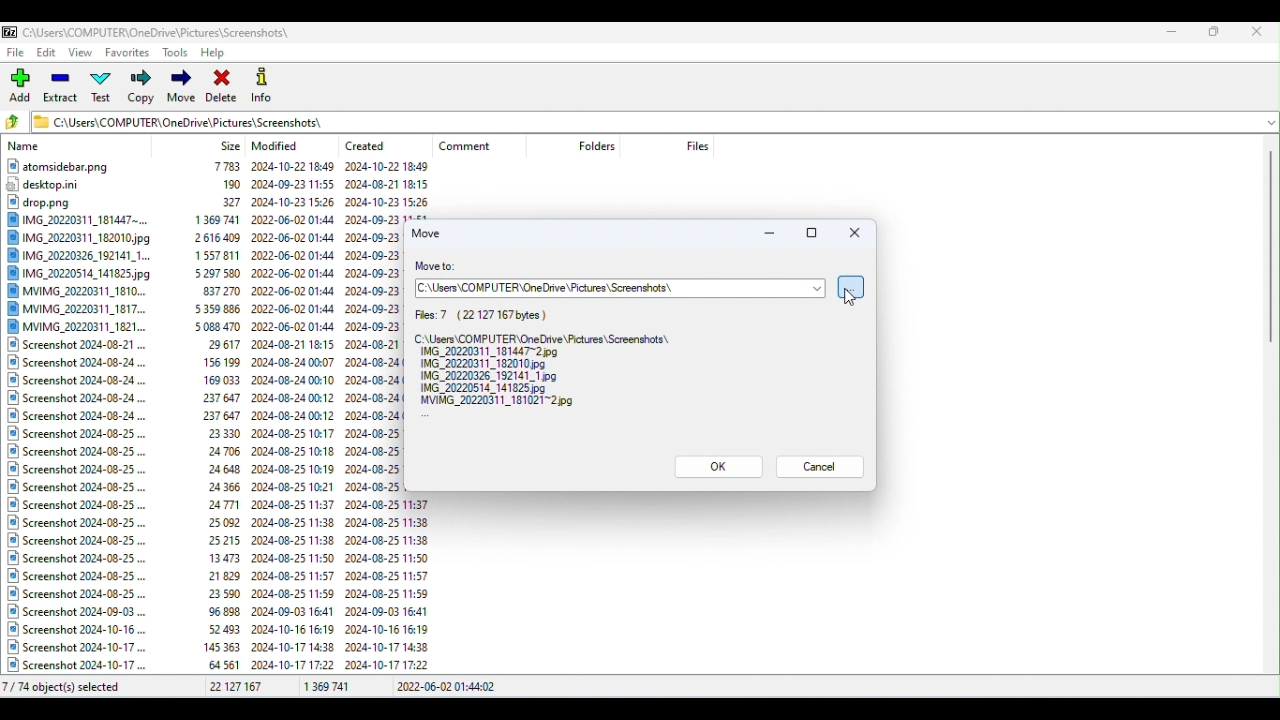 This screenshot has width=1280, height=720. What do you see at coordinates (1259, 31) in the screenshot?
I see `Close` at bounding box center [1259, 31].